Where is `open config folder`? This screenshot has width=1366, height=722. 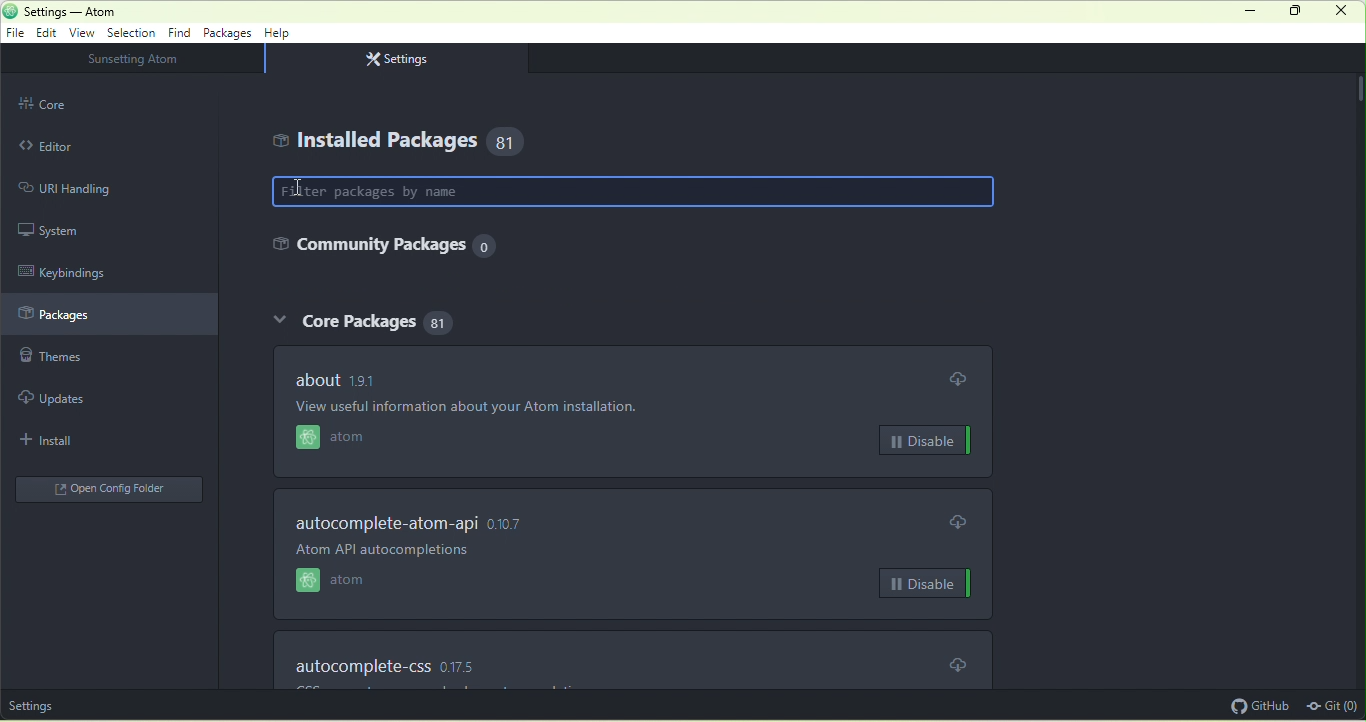 open config folder is located at coordinates (112, 488).